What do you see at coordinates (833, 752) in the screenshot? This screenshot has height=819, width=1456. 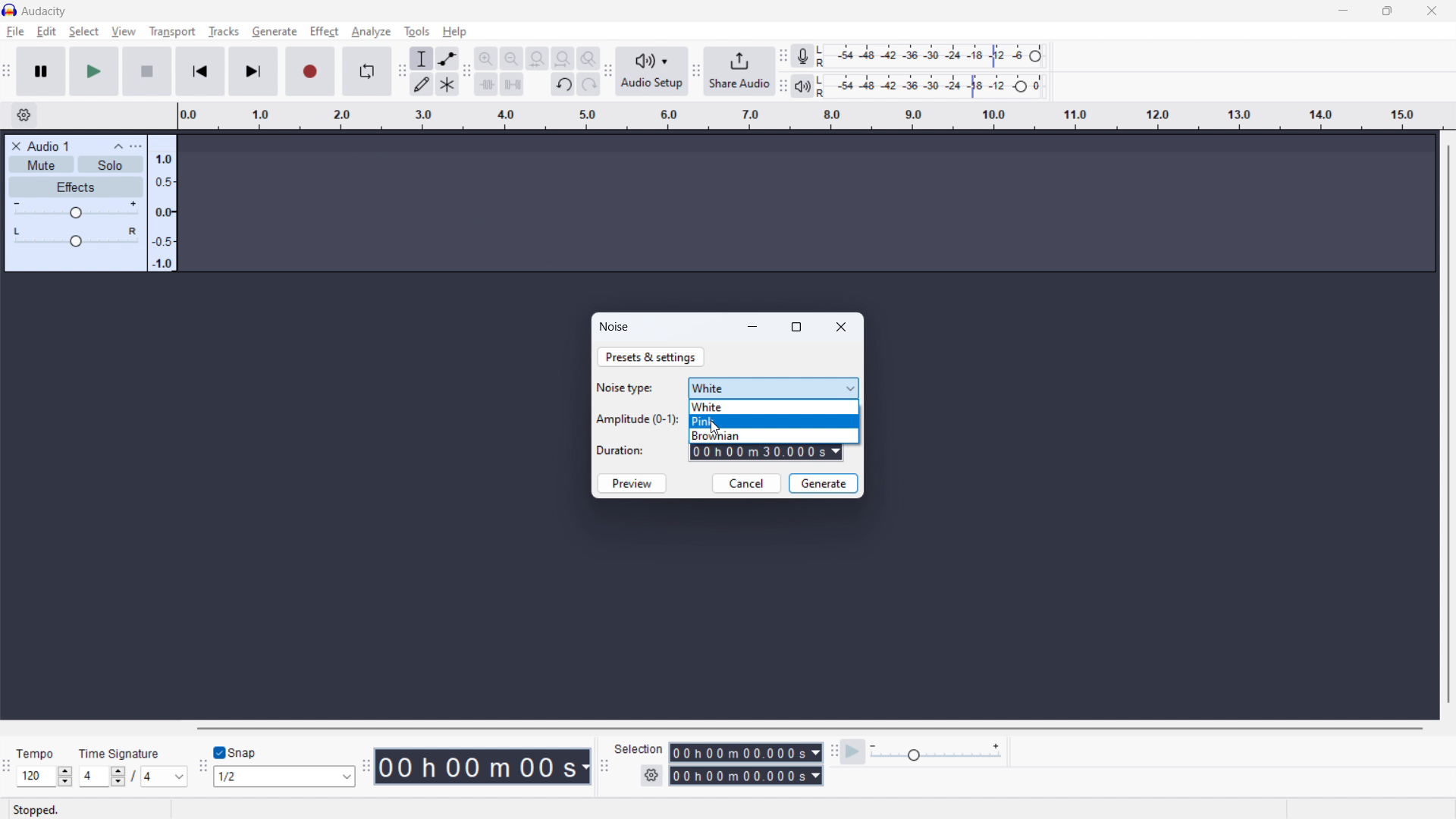 I see `play at speed toolbar` at bounding box center [833, 752].